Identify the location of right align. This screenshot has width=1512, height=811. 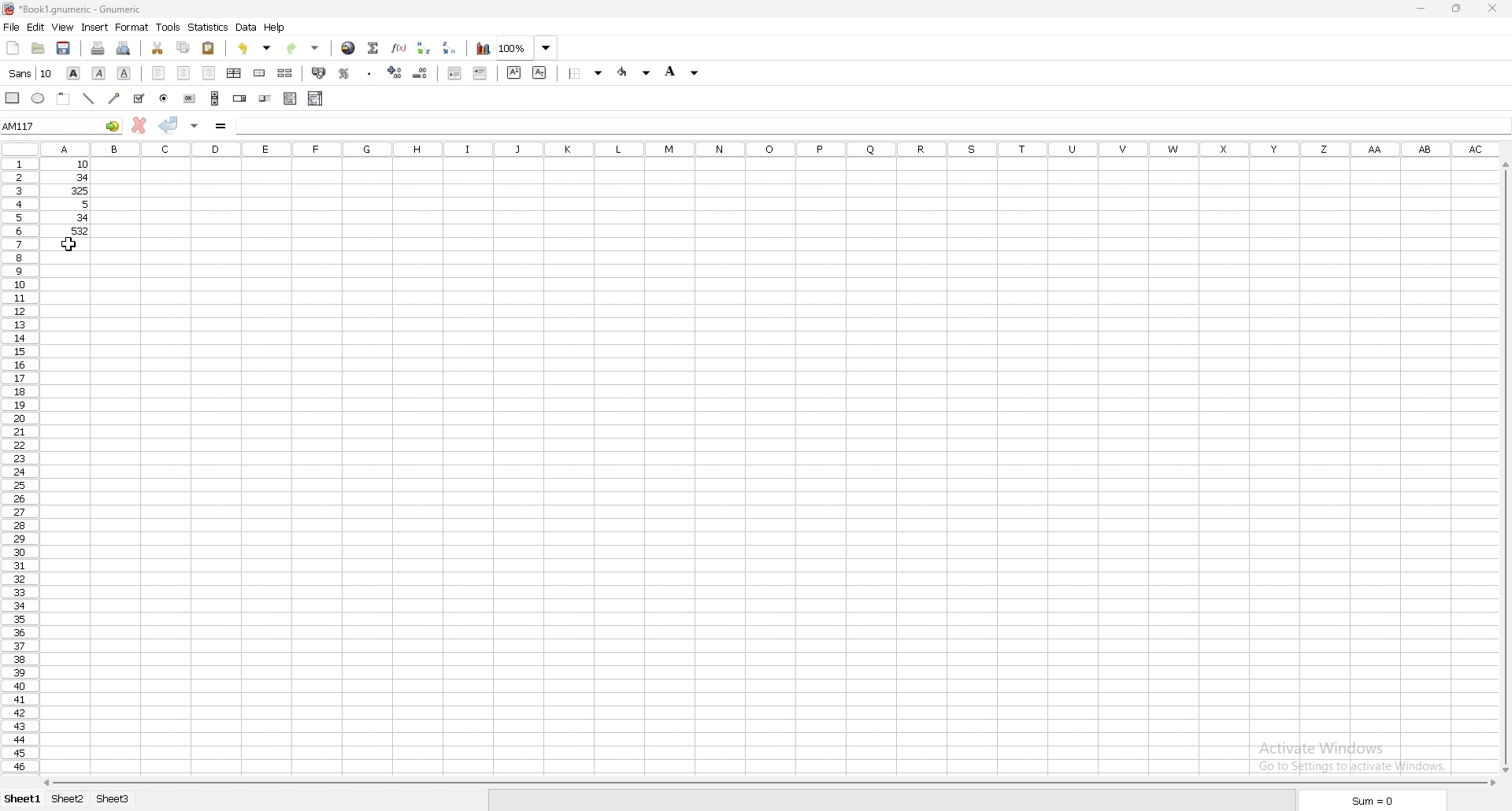
(209, 72).